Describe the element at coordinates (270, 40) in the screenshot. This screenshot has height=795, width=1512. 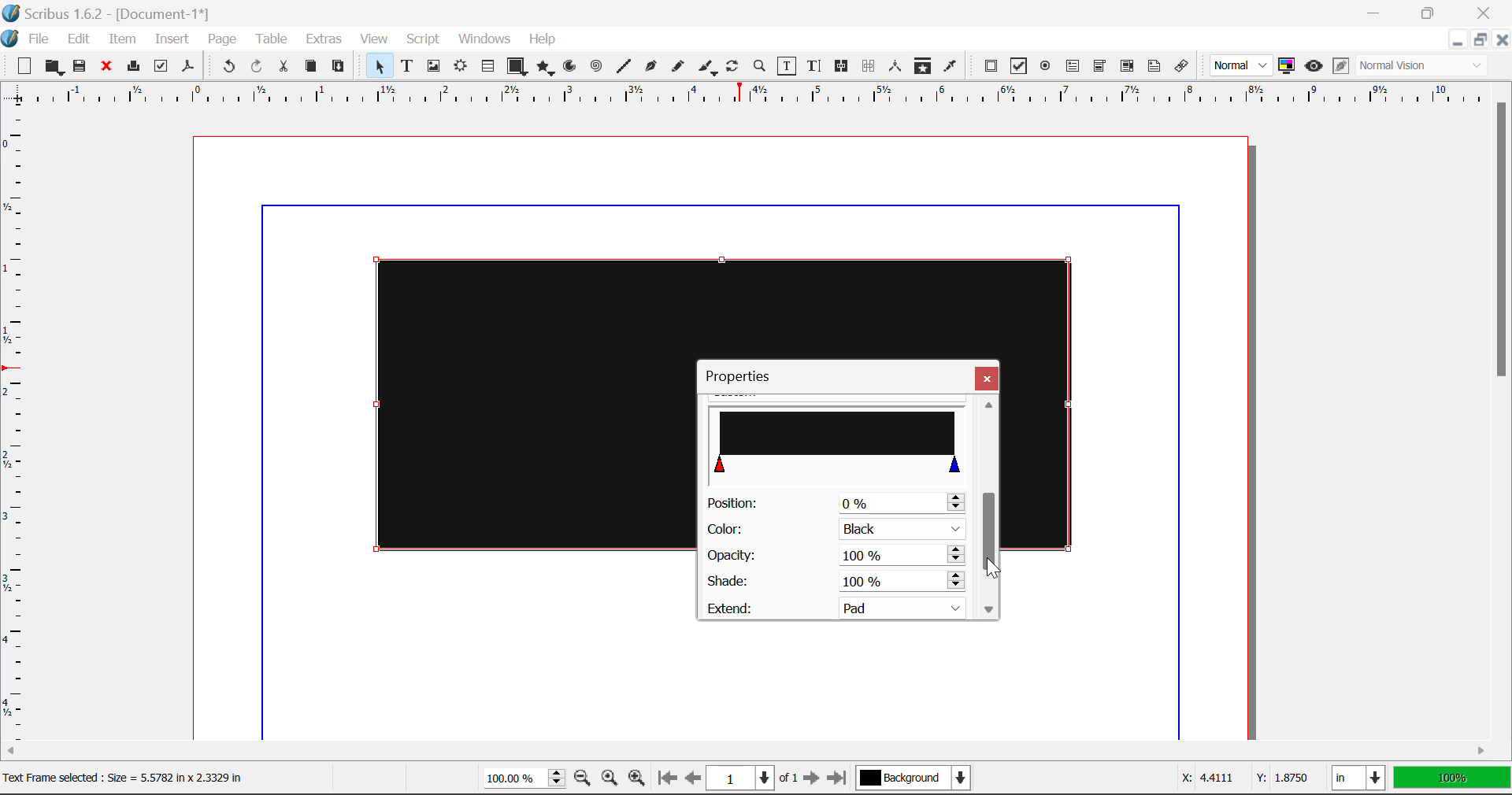
I see `Table` at that location.